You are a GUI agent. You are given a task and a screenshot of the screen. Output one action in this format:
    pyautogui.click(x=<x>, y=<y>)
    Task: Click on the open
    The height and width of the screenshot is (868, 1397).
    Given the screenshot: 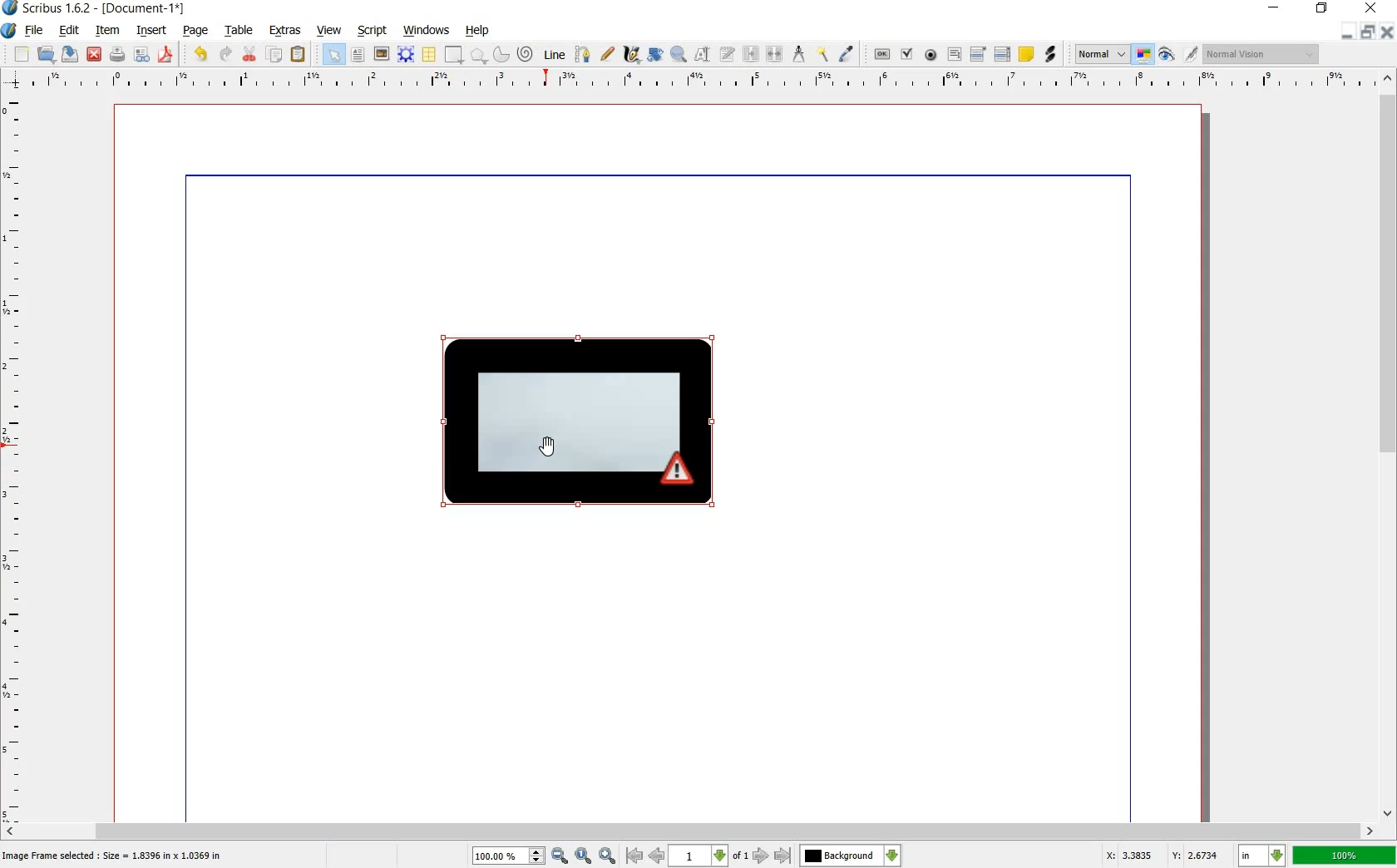 What is the action you would take?
    pyautogui.click(x=46, y=55)
    